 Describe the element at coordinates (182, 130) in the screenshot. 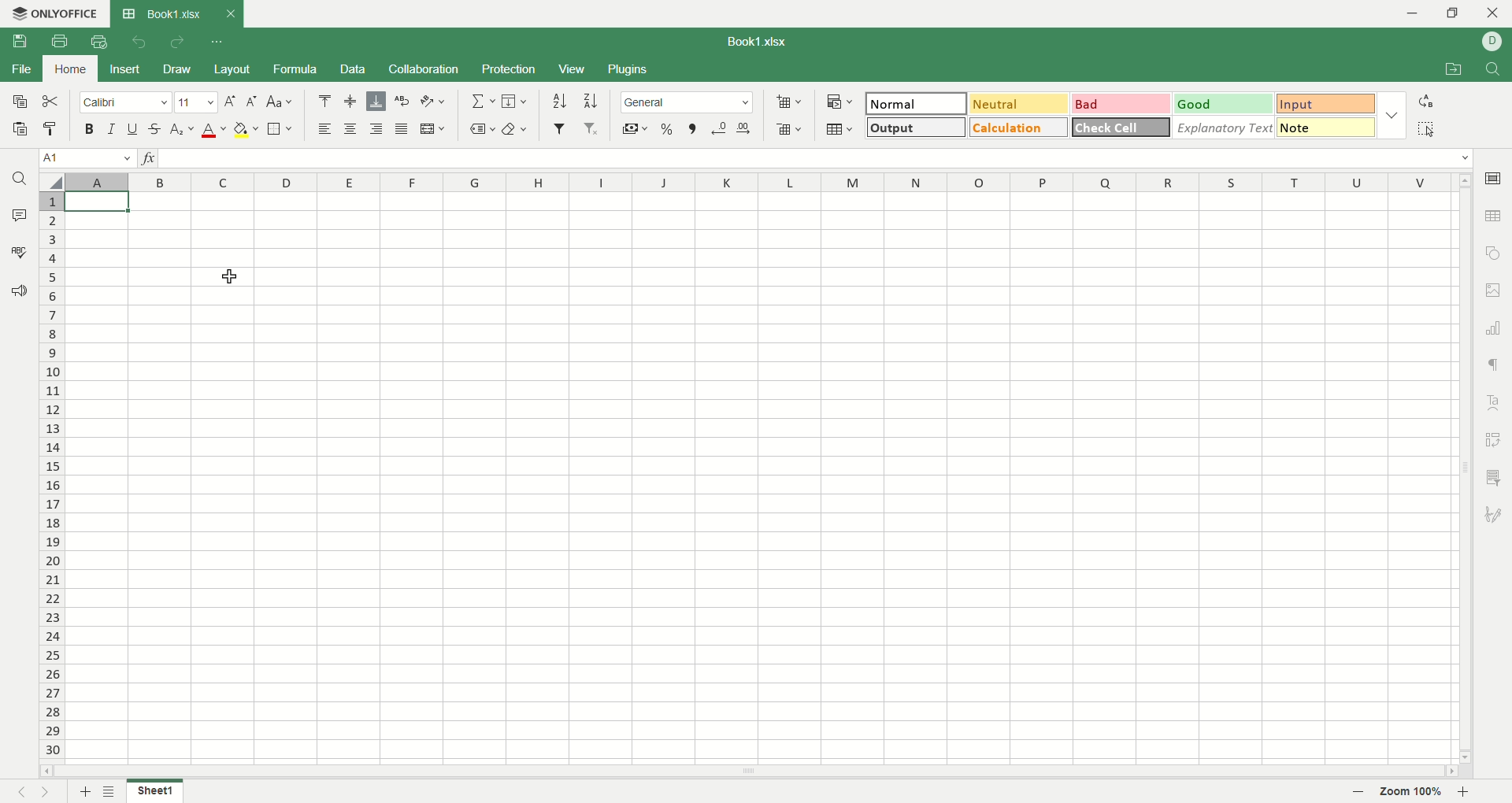

I see `subscript/superscript` at that location.